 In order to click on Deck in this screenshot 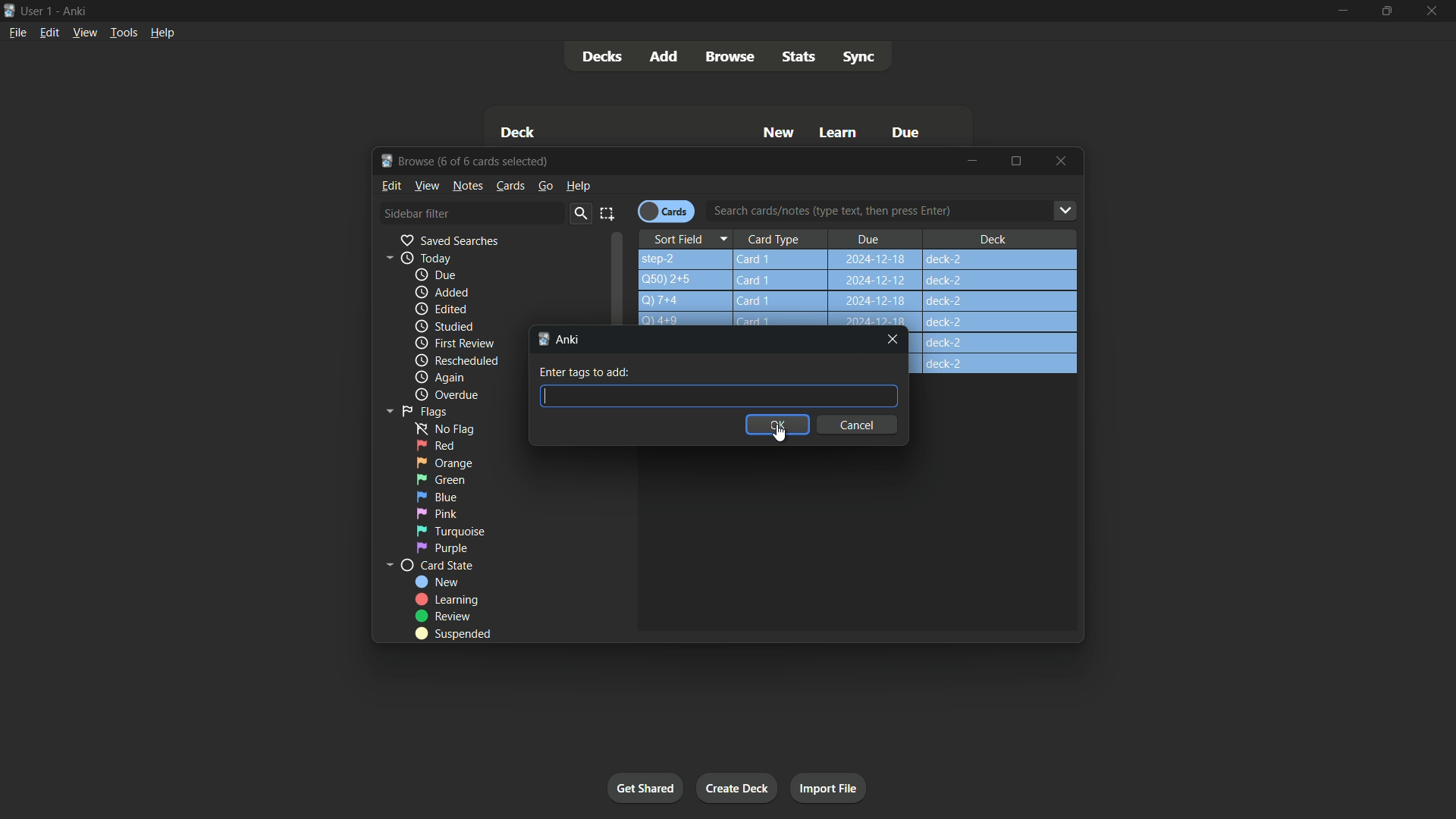, I will do `click(519, 132)`.